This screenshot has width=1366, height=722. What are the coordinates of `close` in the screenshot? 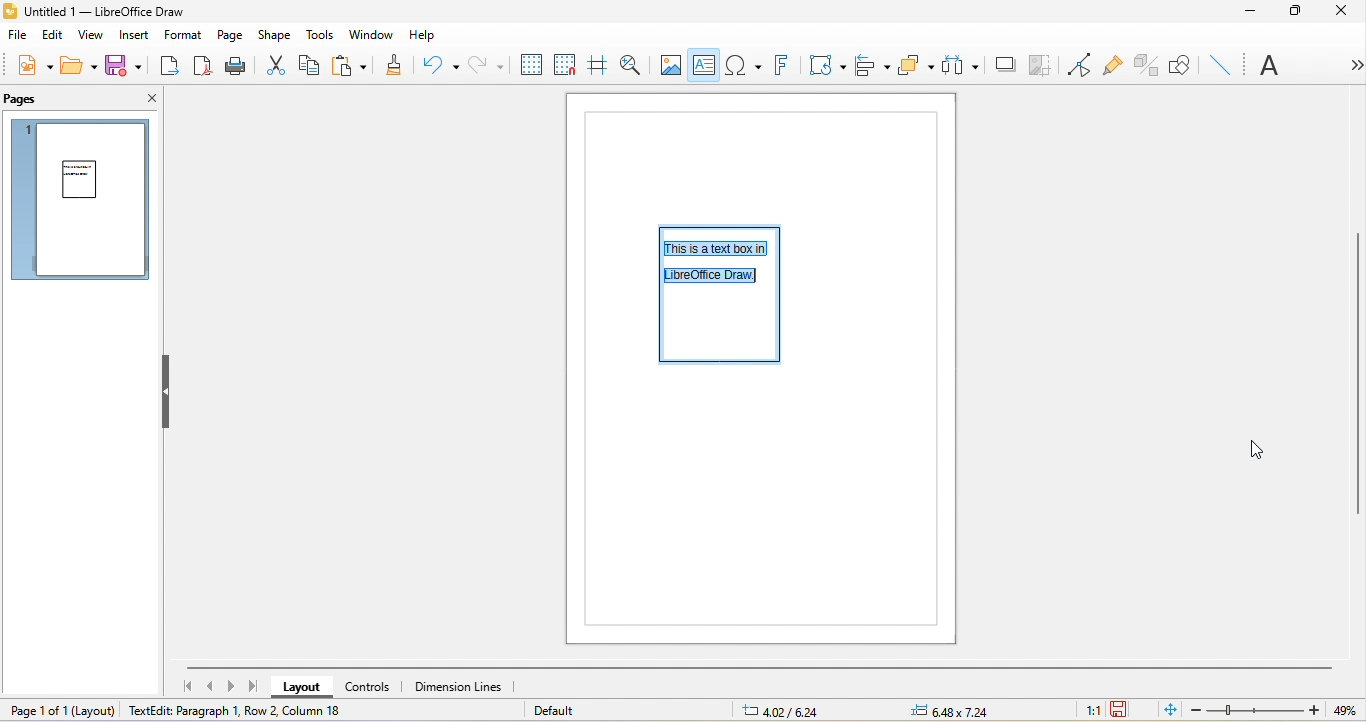 It's located at (142, 97).